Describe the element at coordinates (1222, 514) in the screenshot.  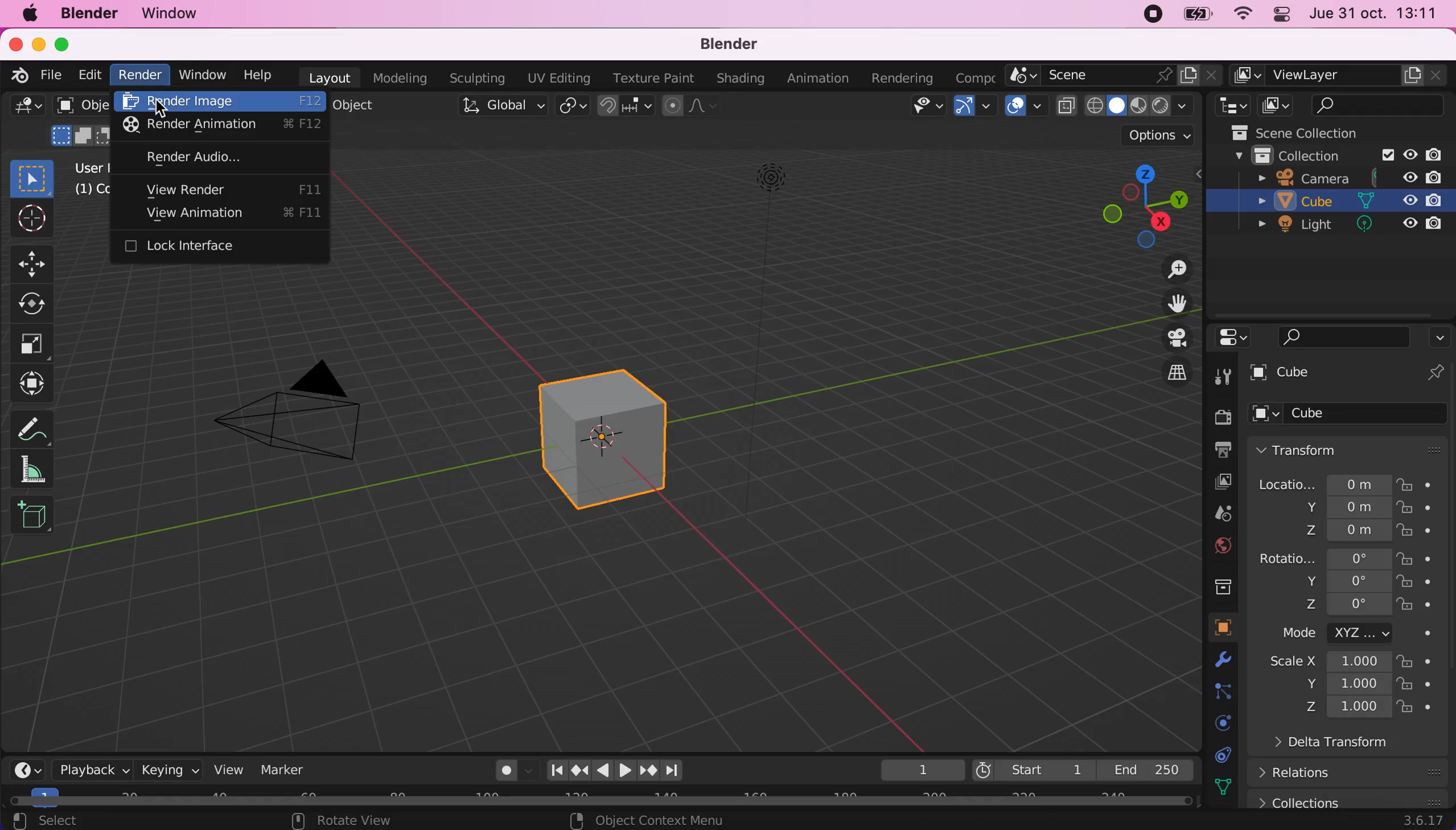
I see `scene` at that location.